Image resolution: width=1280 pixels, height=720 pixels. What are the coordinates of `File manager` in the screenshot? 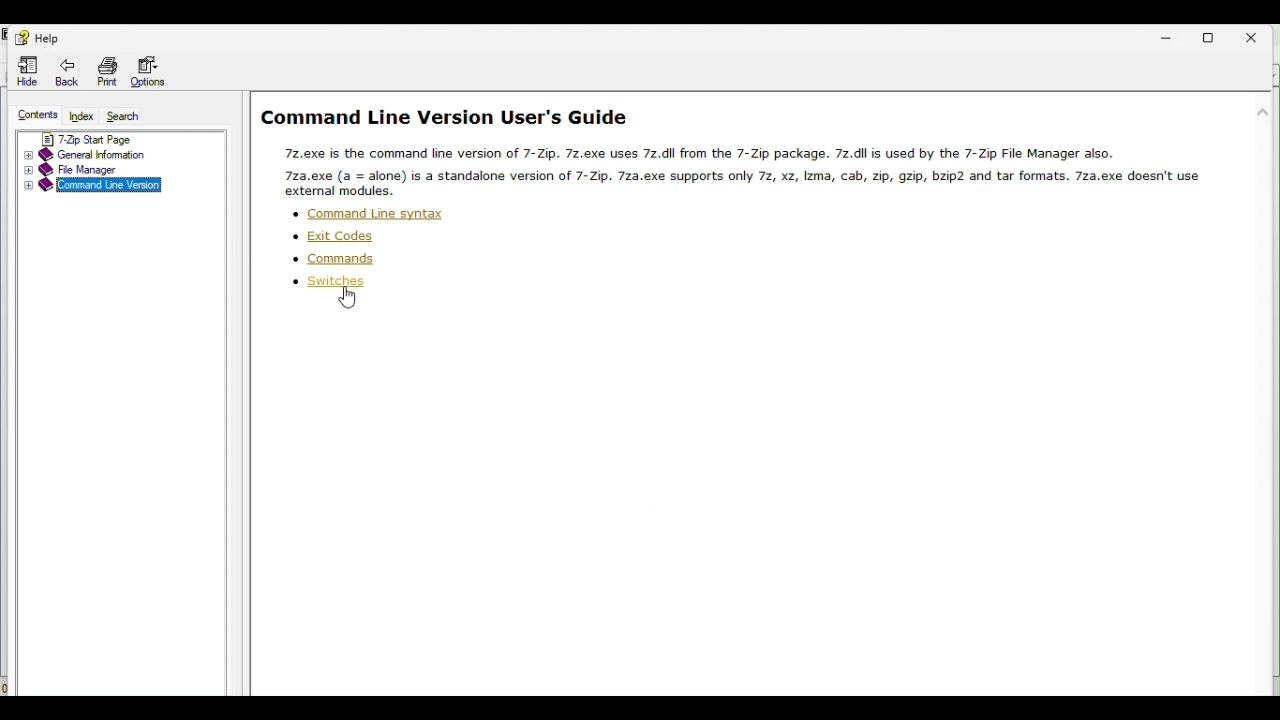 It's located at (120, 169).